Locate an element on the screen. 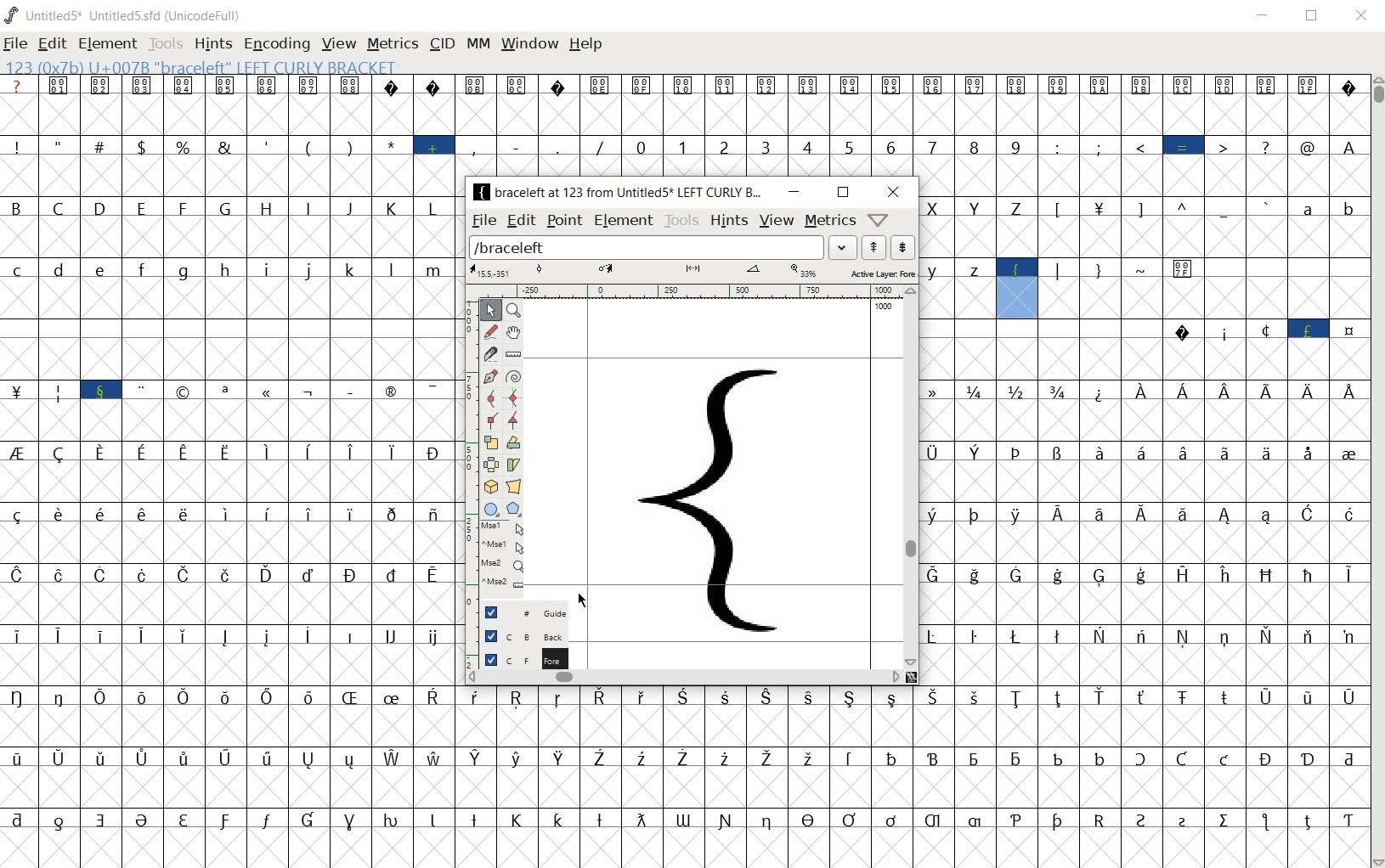  add a point, then drag out its control points is located at coordinates (487, 376).